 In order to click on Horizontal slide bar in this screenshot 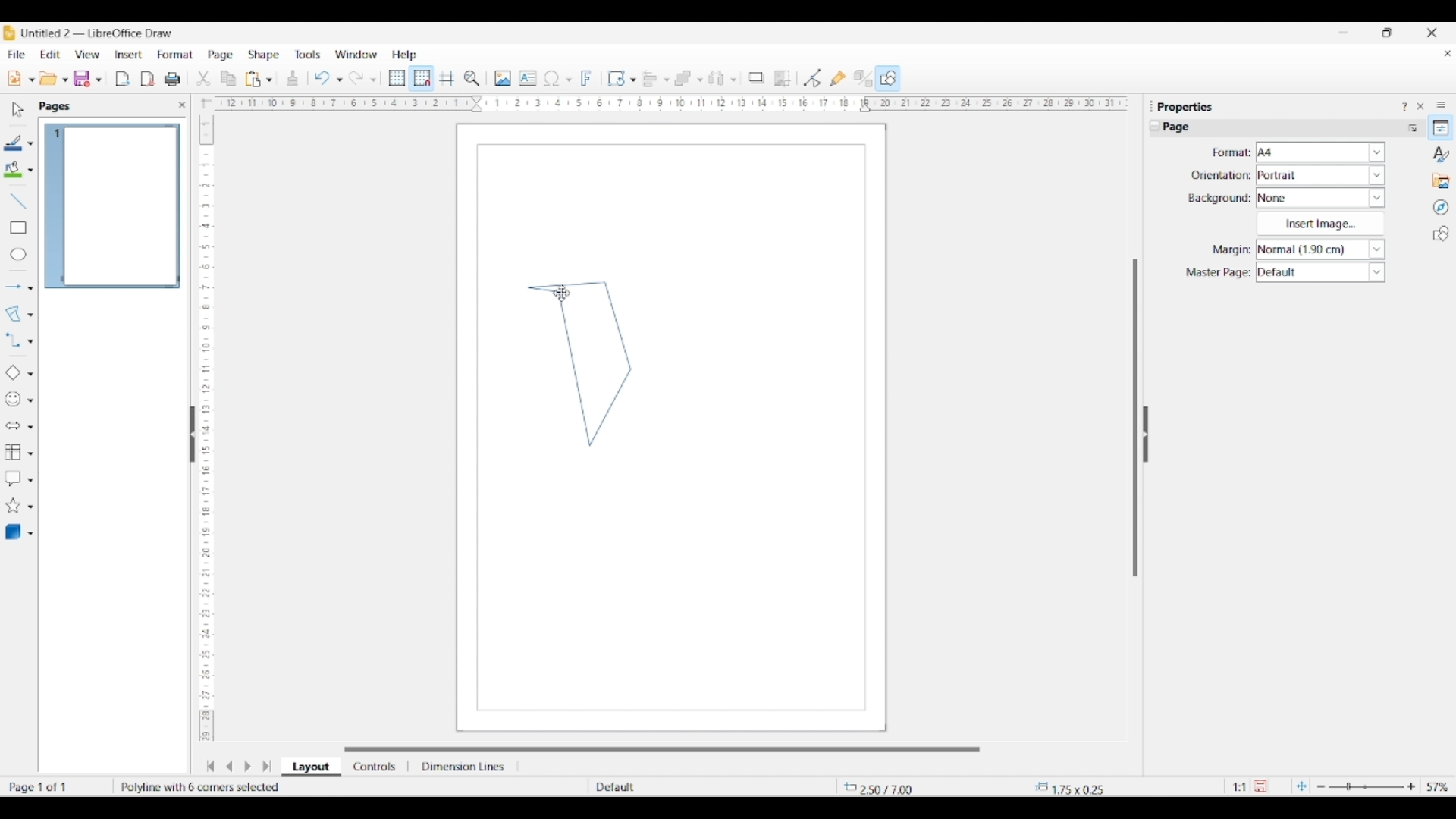, I will do `click(662, 749)`.